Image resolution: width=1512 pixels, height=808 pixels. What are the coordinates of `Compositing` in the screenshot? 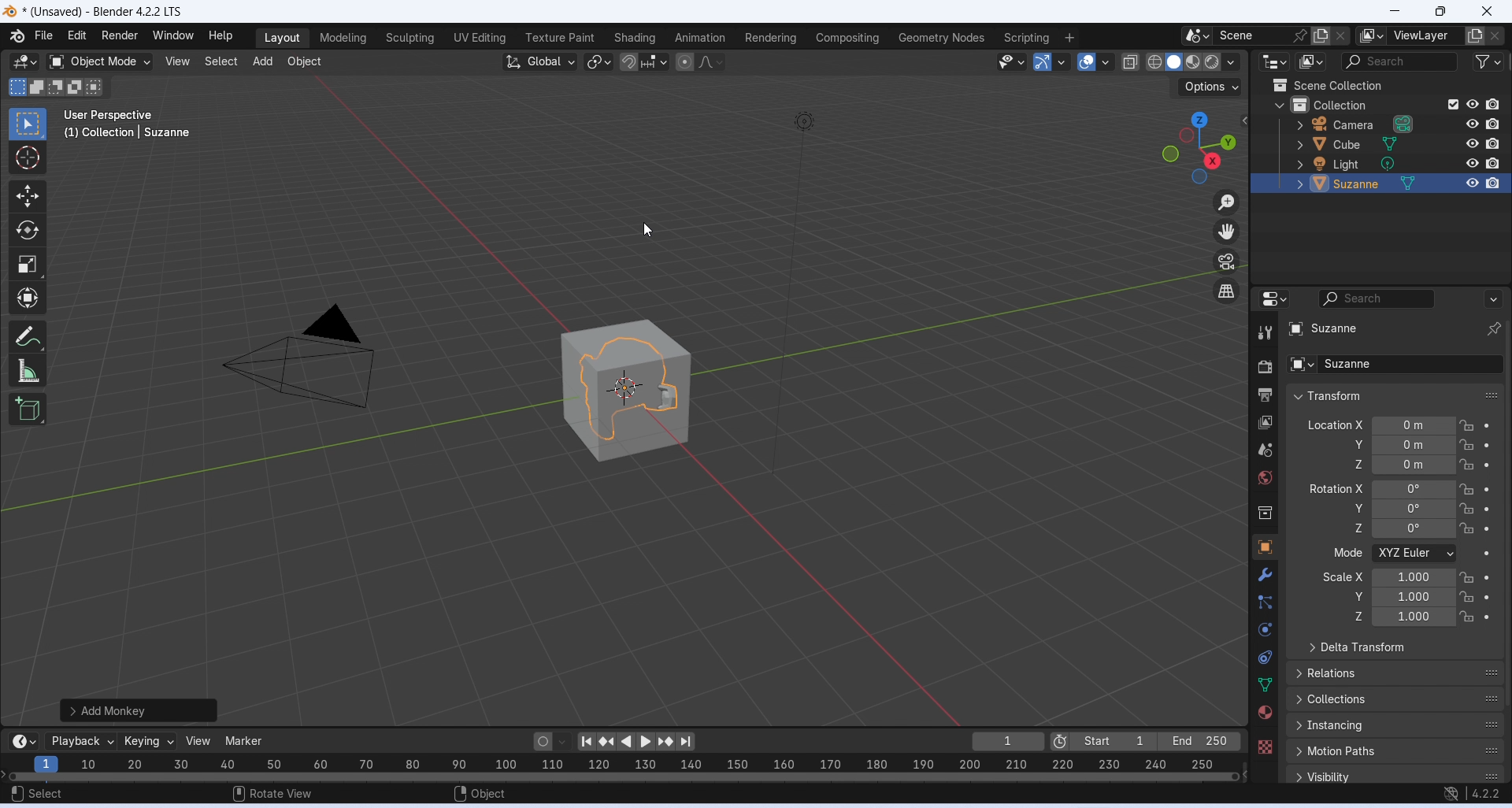 It's located at (848, 37).